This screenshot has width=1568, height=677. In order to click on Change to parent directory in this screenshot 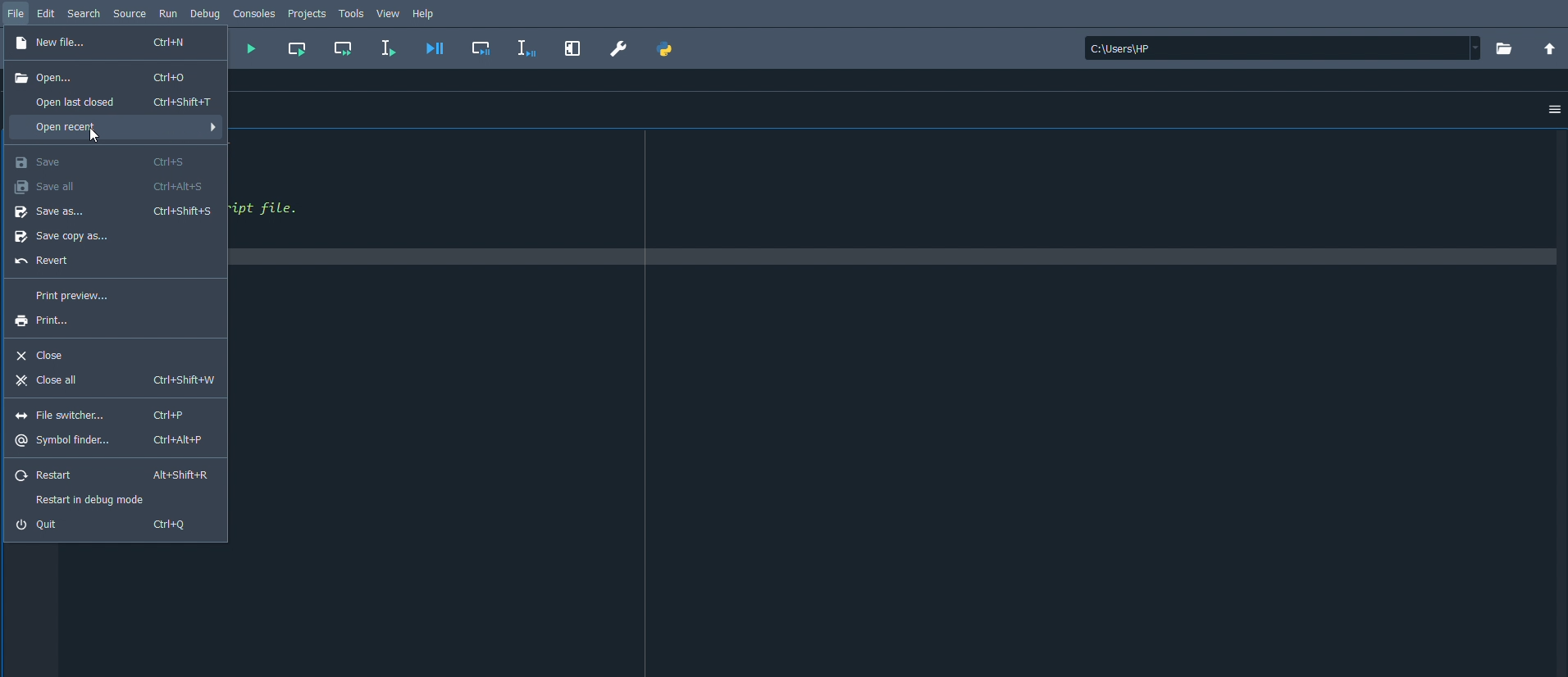, I will do `click(1549, 49)`.